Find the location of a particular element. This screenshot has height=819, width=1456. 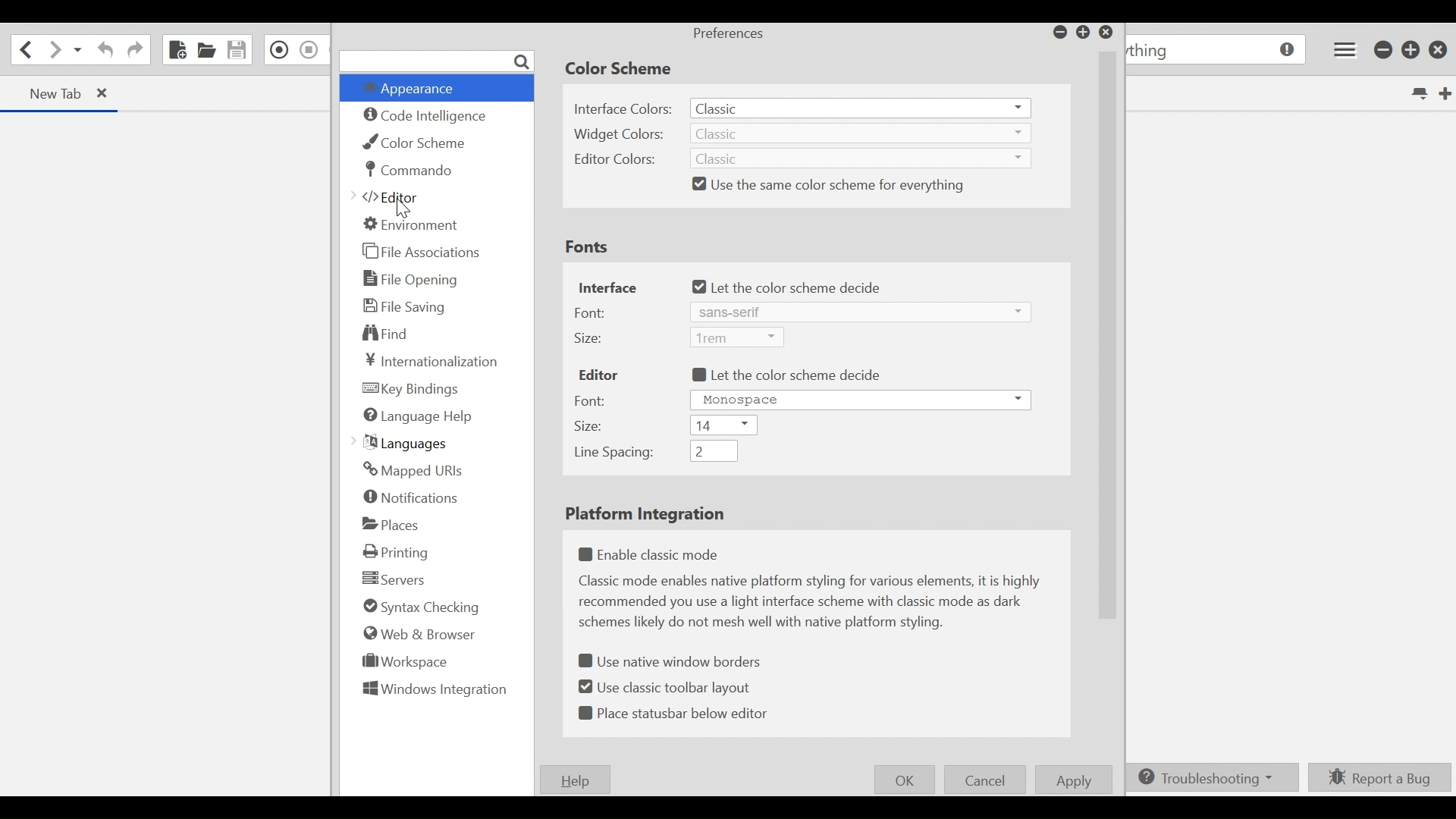

Code intelligence is located at coordinates (428, 116).